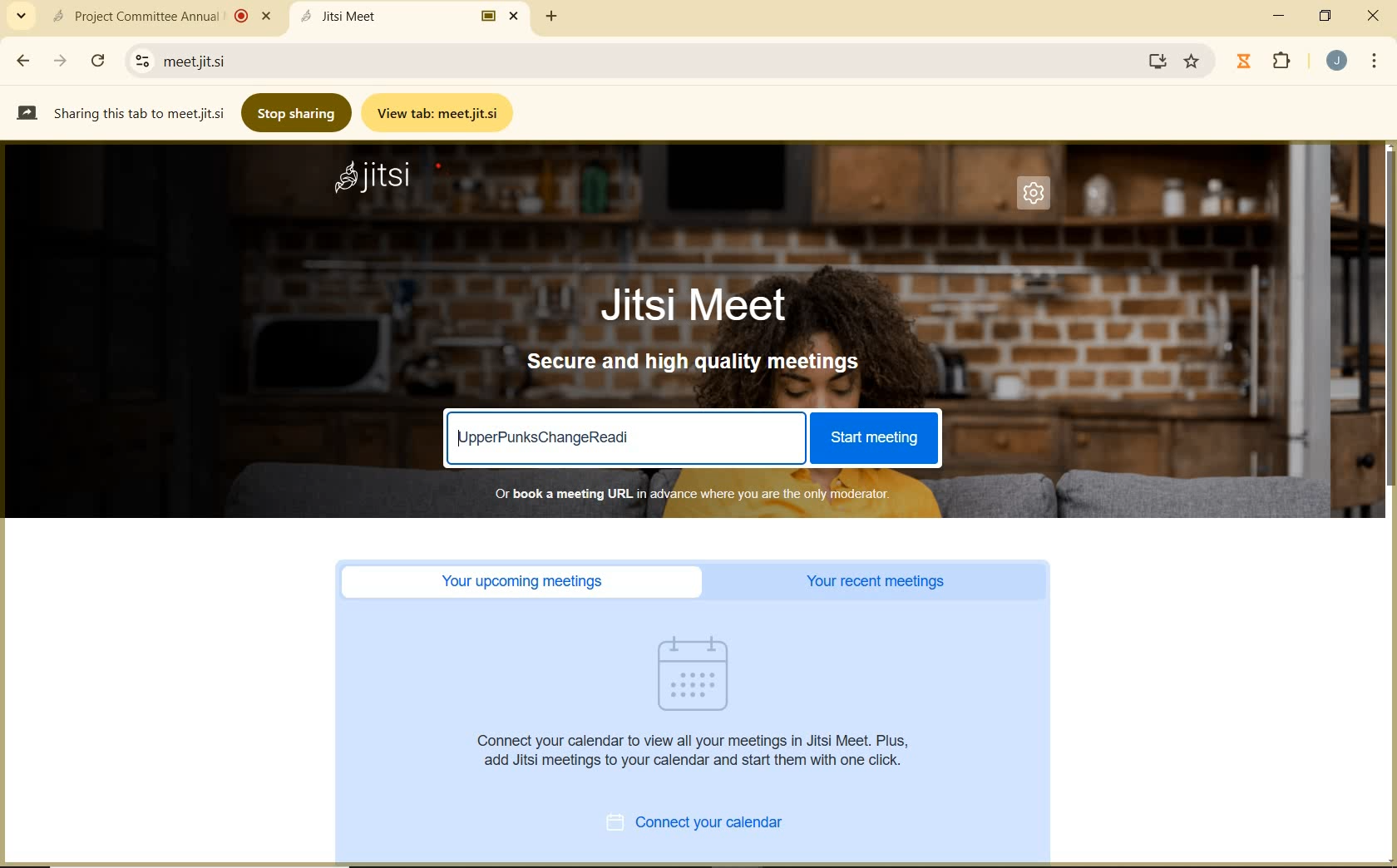  Describe the element at coordinates (120, 112) in the screenshot. I see `SHARING THIS TAB TO MEET.JIT.SI` at that location.